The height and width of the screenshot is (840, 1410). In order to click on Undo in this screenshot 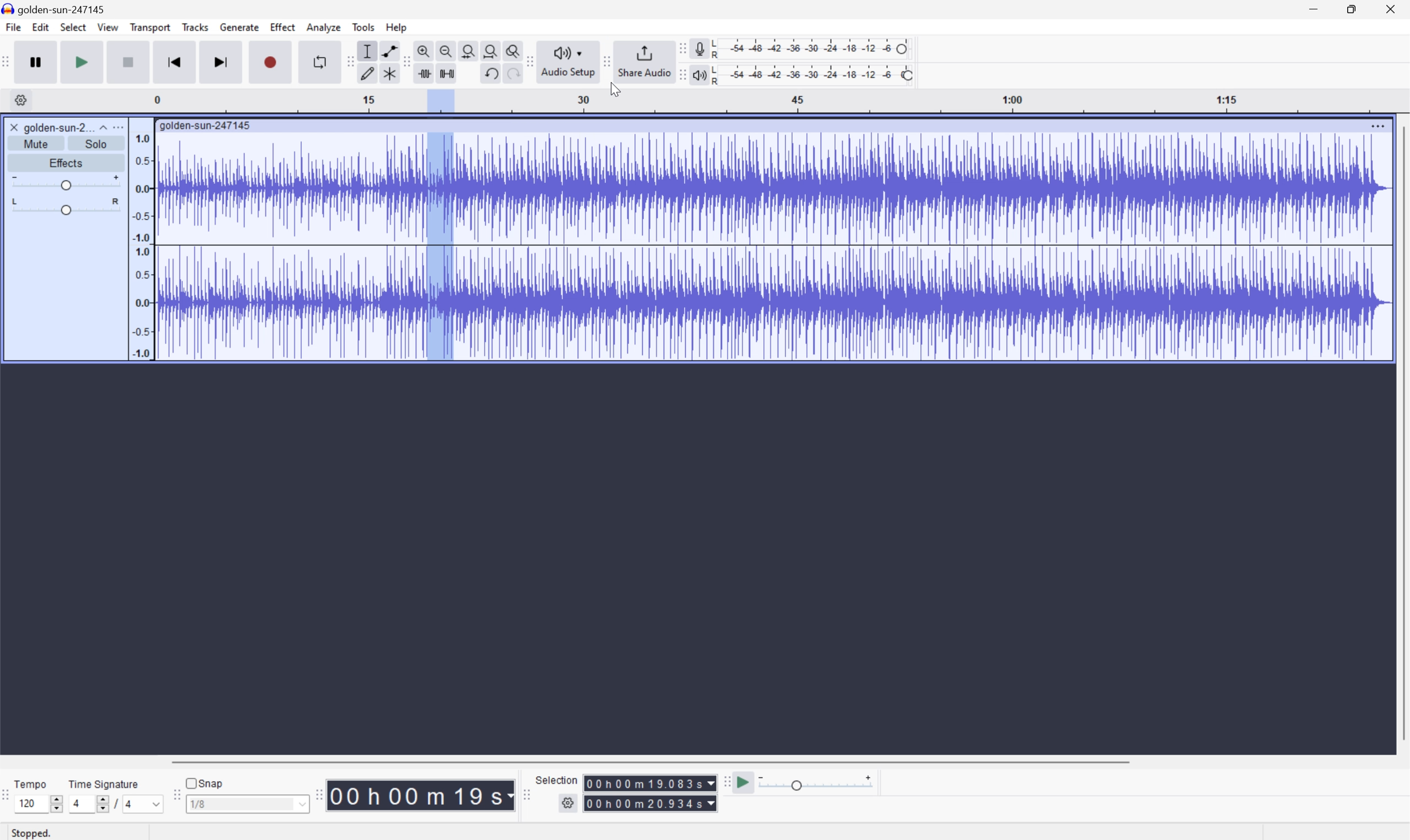, I will do `click(489, 72)`.